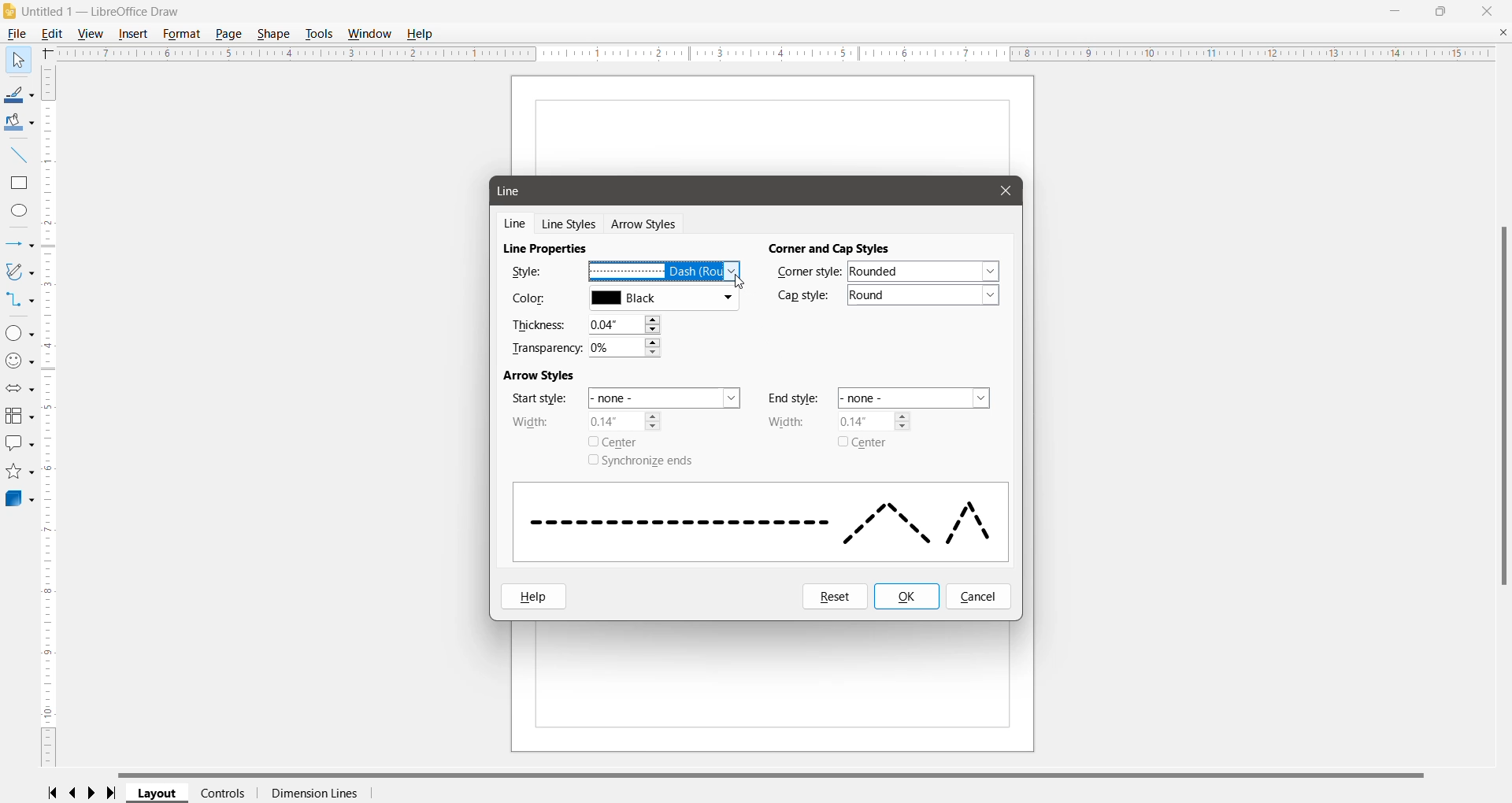 The height and width of the screenshot is (803, 1512). Describe the element at coordinates (92, 34) in the screenshot. I see `View` at that location.